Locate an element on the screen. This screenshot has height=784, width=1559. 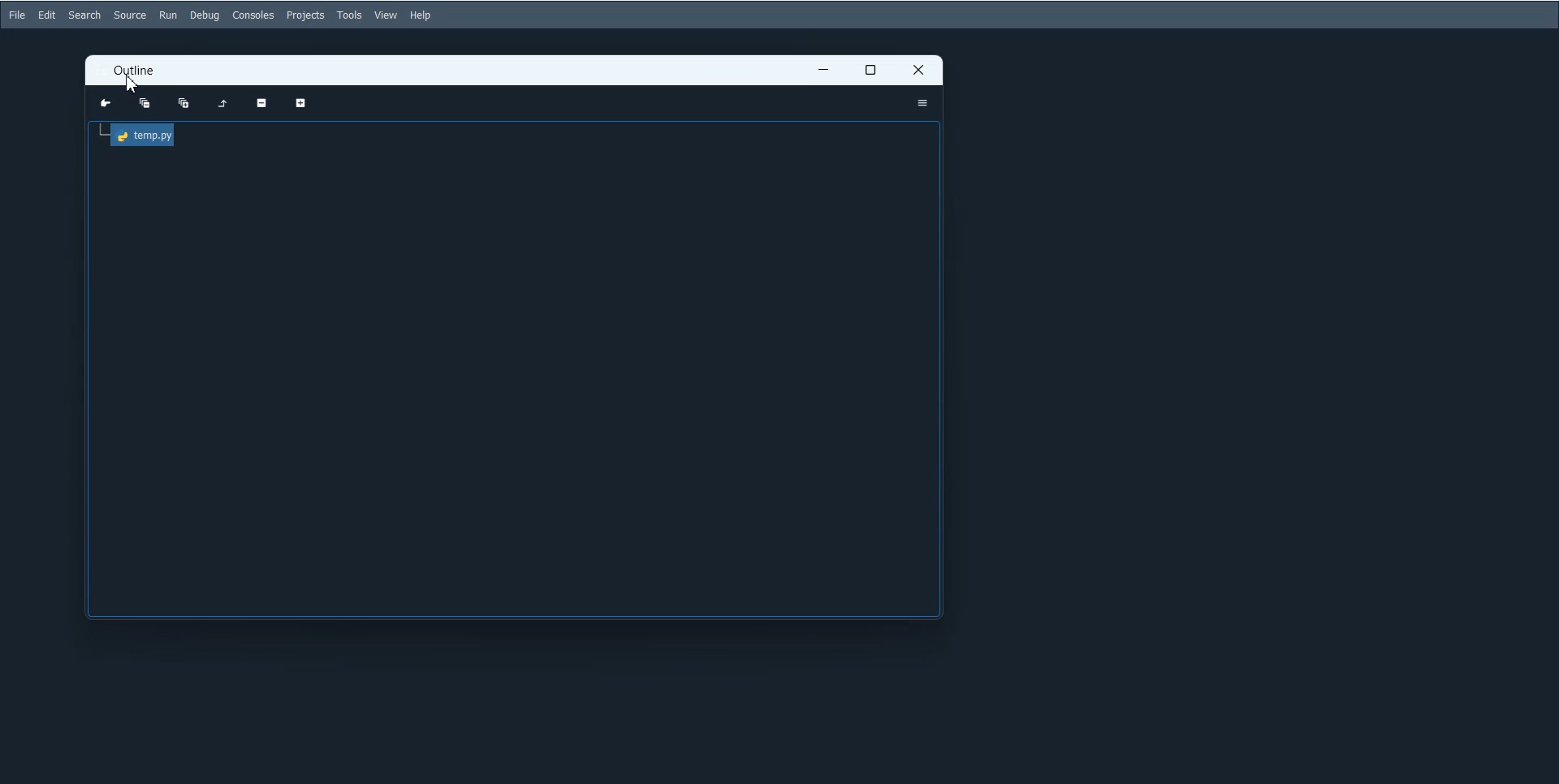
Run is located at coordinates (167, 15).